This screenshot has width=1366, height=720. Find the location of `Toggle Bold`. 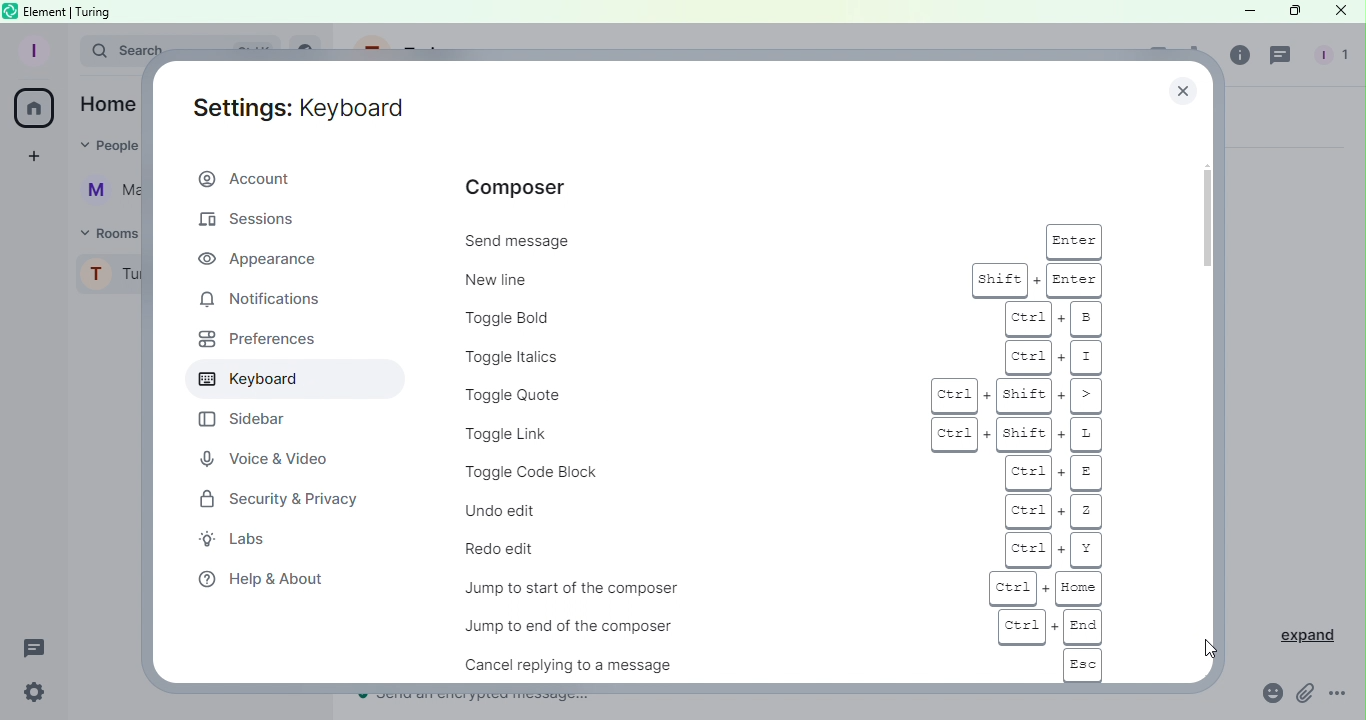

Toggle Bold is located at coordinates (664, 317).